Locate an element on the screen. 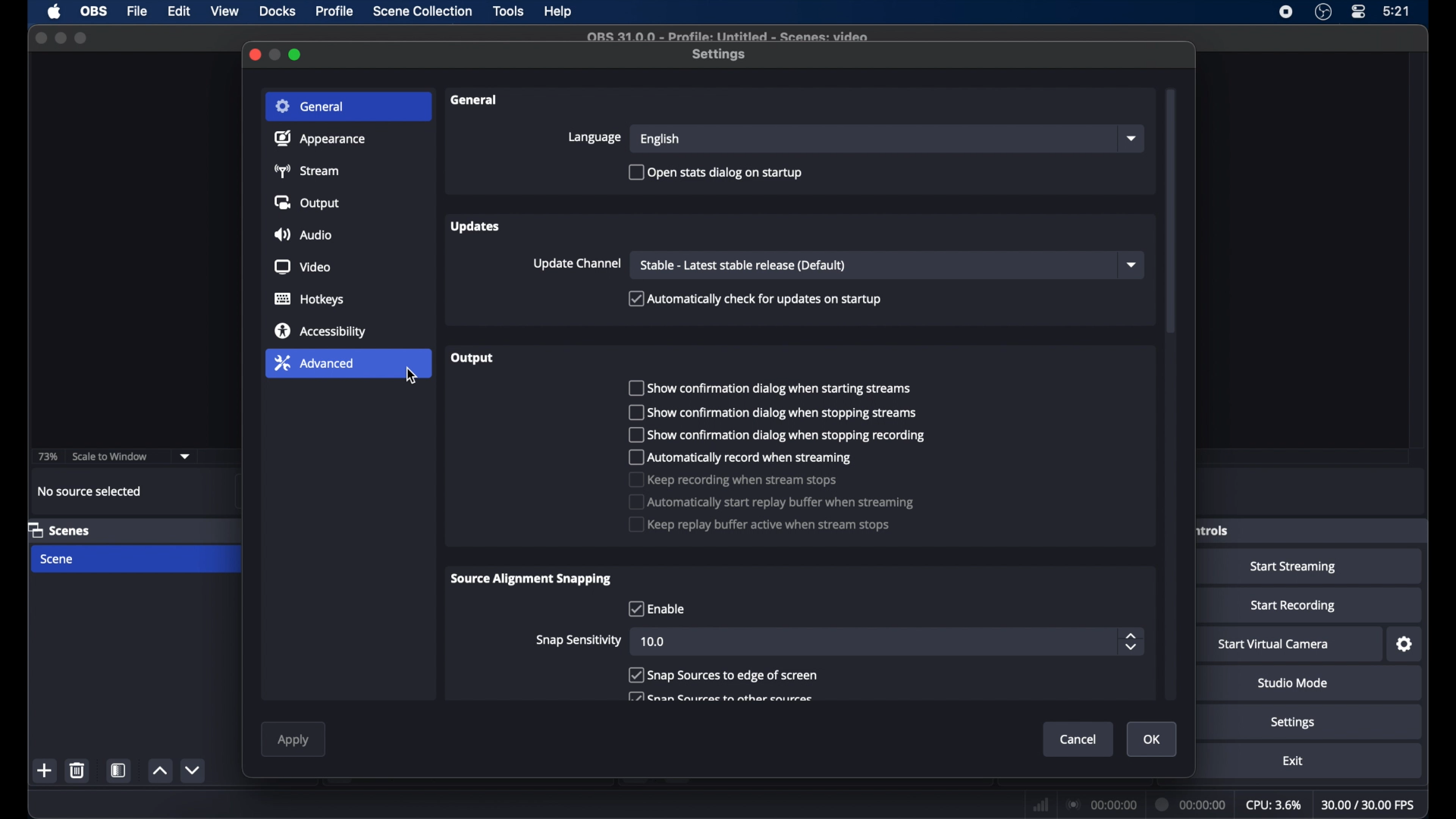 The image size is (1456, 819). output is located at coordinates (306, 203).